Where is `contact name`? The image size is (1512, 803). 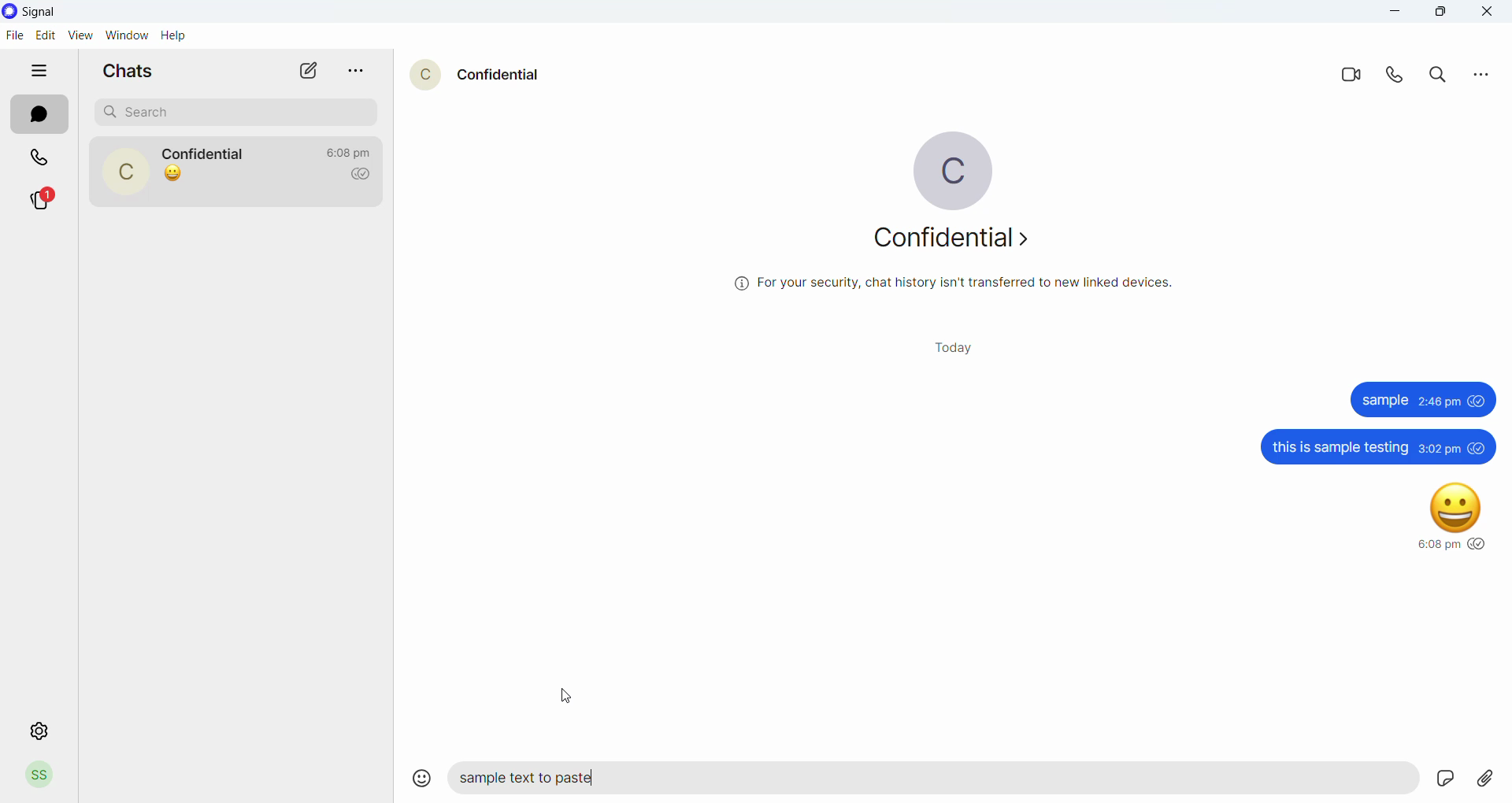
contact name is located at coordinates (506, 75).